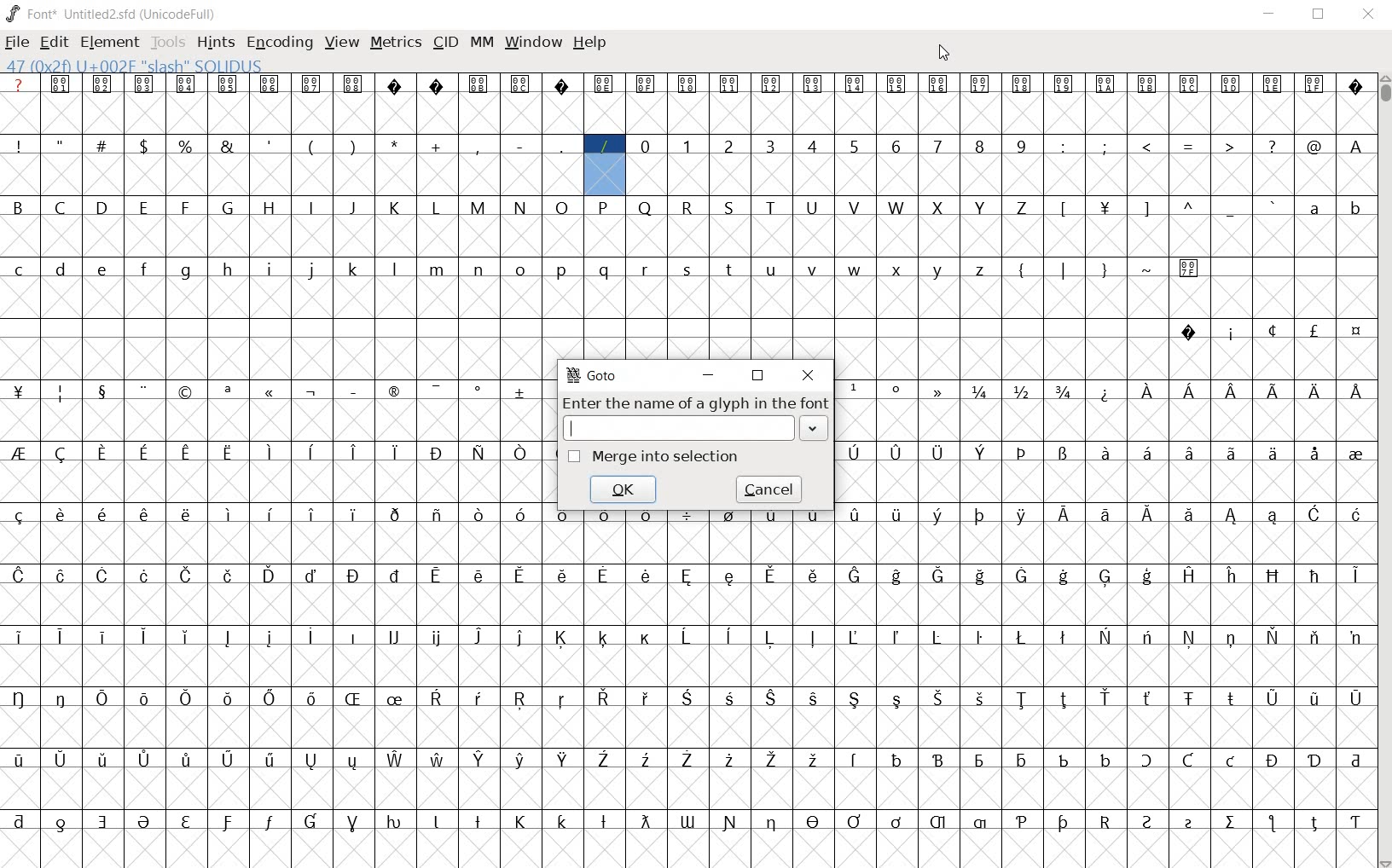 The width and height of the screenshot is (1392, 868). I want to click on glyph, so click(19, 516).